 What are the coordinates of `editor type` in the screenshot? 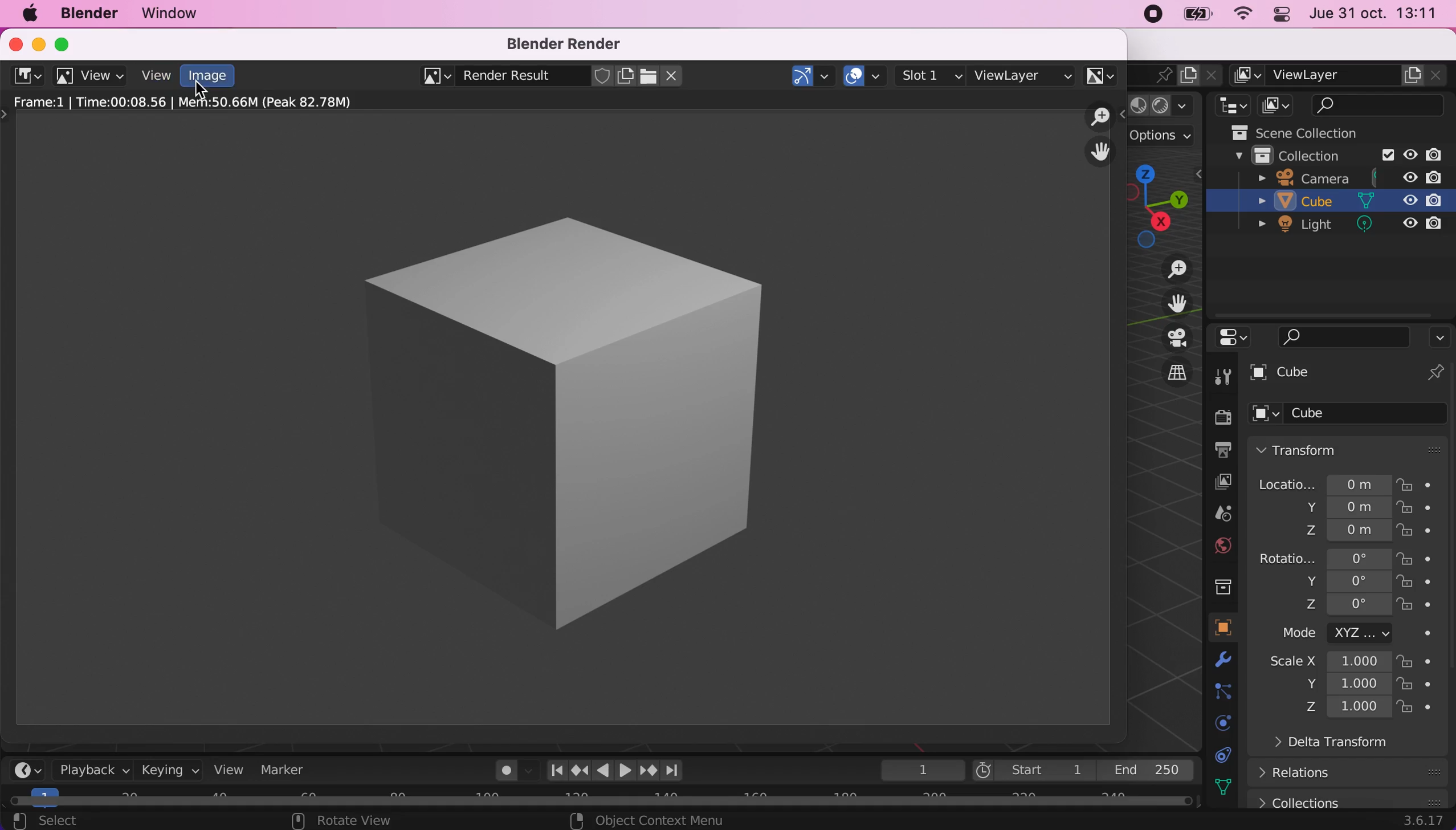 It's located at (27, 770).